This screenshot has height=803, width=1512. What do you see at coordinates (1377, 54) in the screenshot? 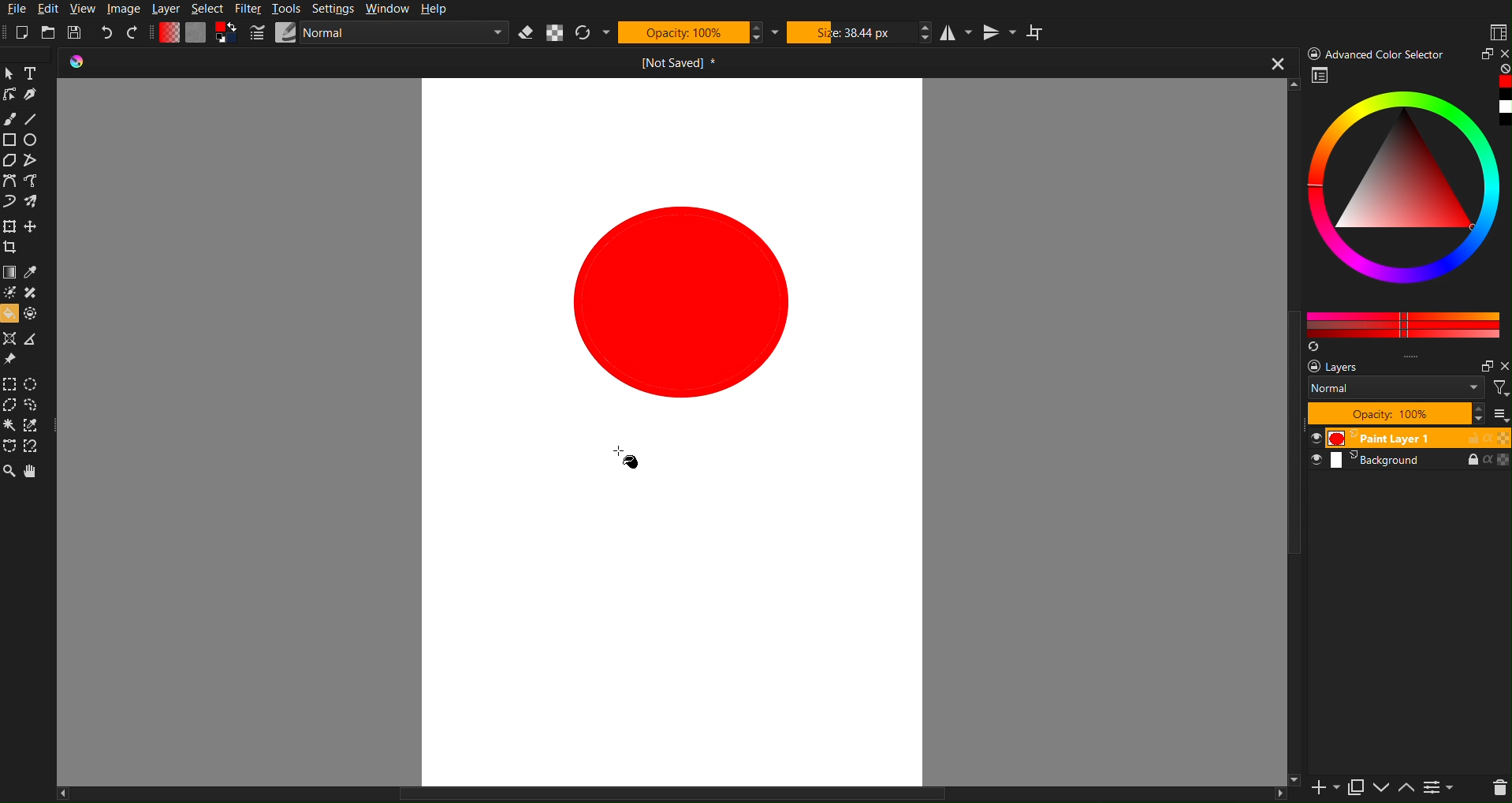
I see `Advance color Picker` at bounding box center [1377, 54].